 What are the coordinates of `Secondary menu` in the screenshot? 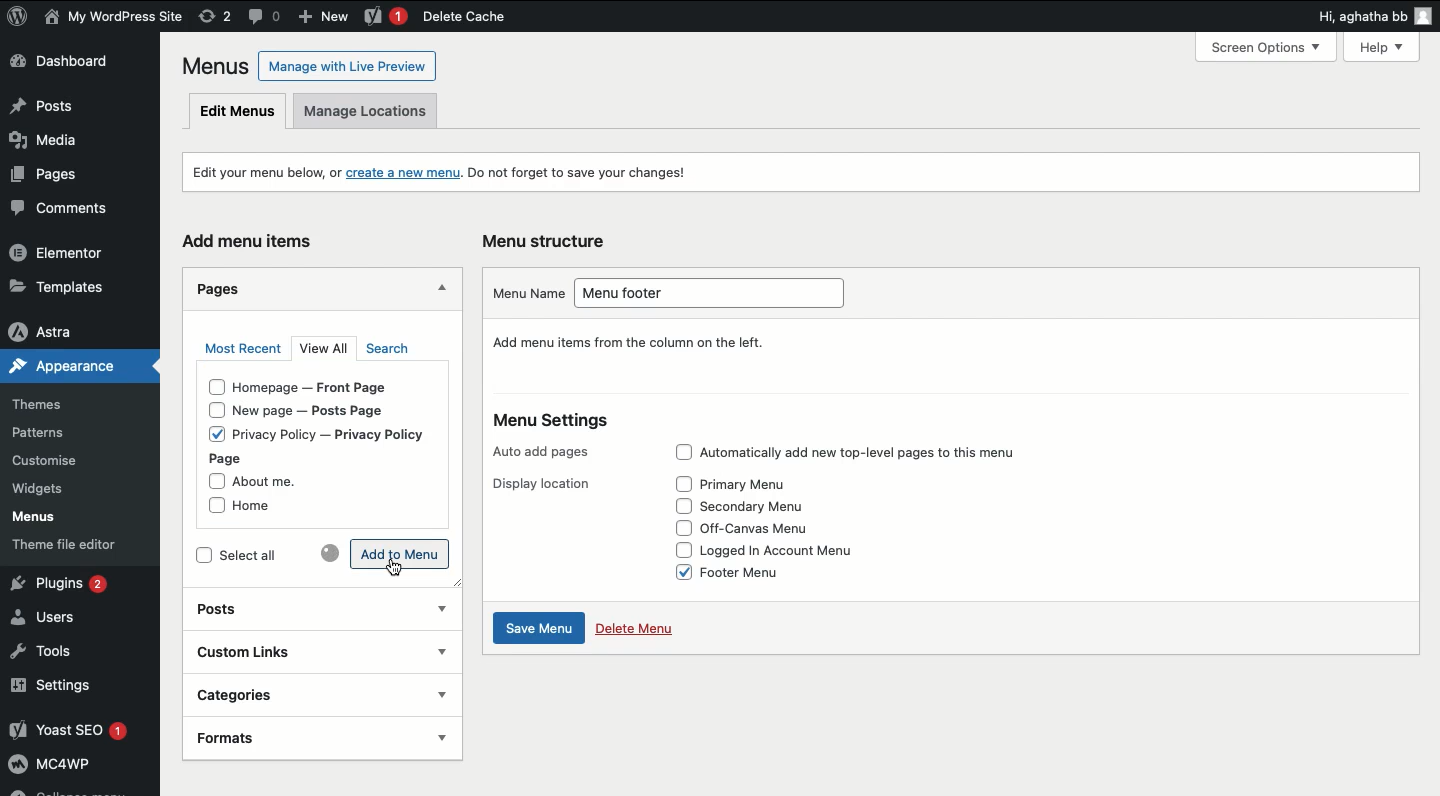 It's located at (766, 504).